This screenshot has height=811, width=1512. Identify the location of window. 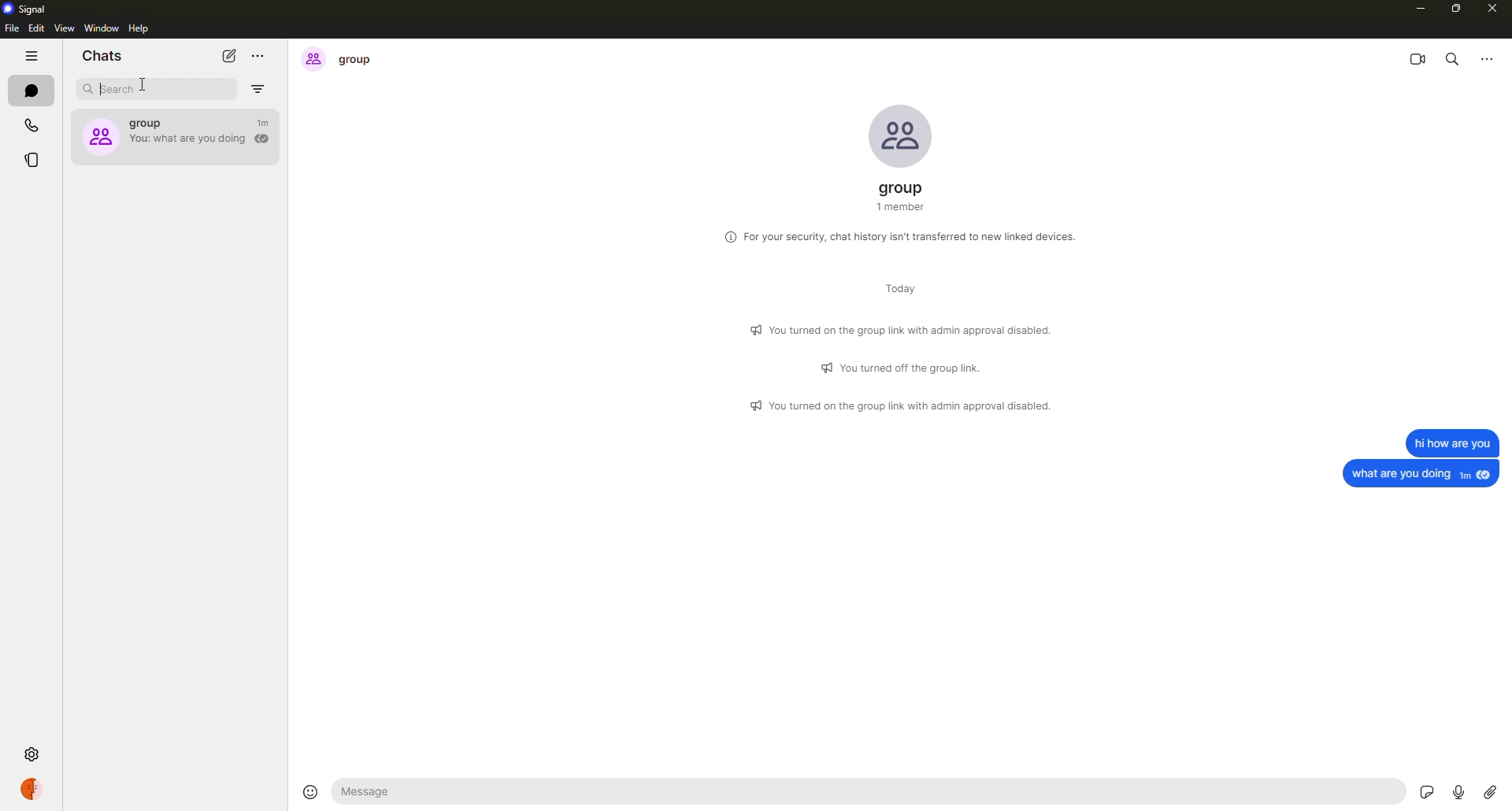
(101, 28).